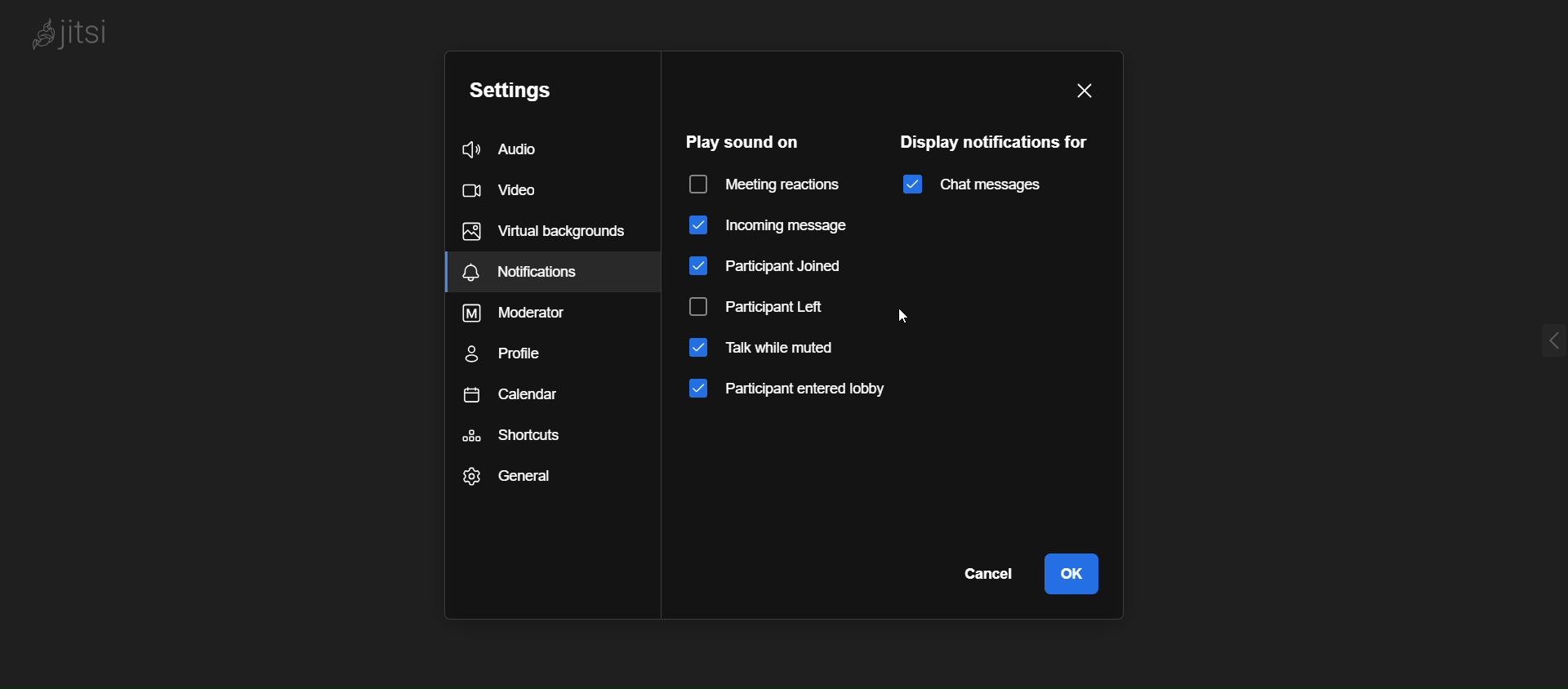 The height and width of the screenshot is (689, 1568). I want to click on display notification for, so click(1001, 141).